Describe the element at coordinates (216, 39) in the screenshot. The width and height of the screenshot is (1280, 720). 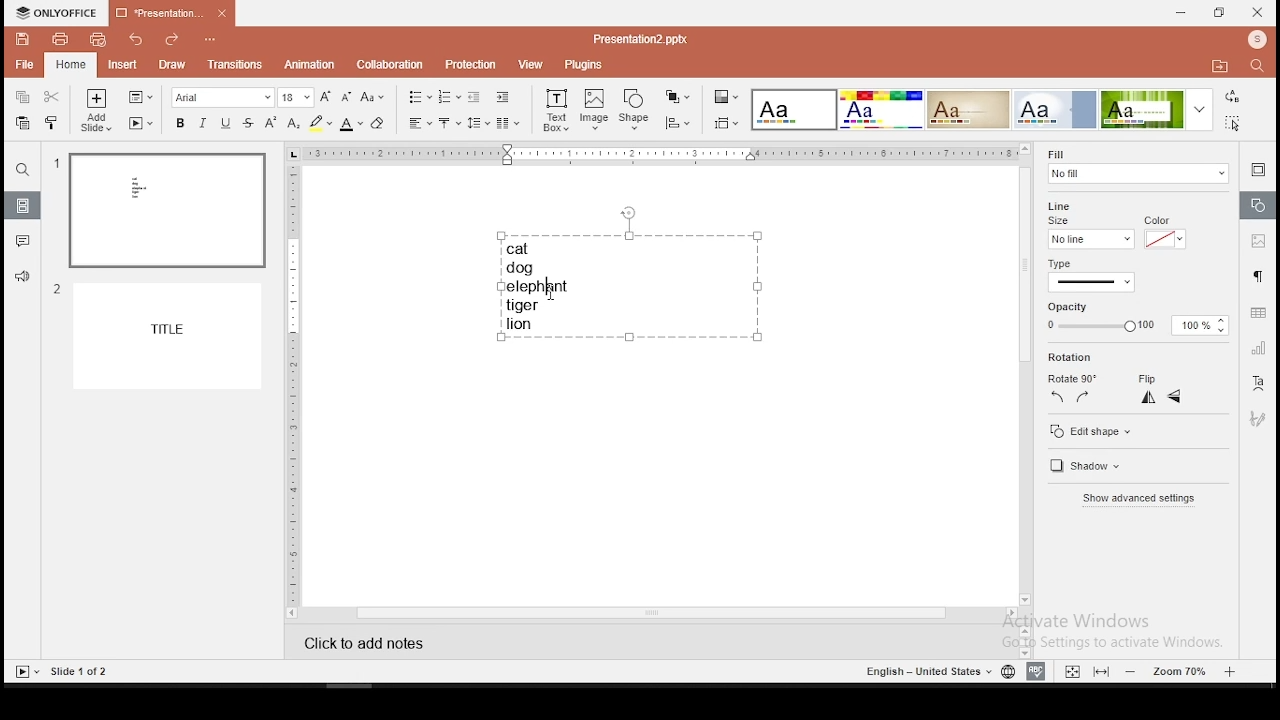
I see `customize quick access toolbar` at that location.